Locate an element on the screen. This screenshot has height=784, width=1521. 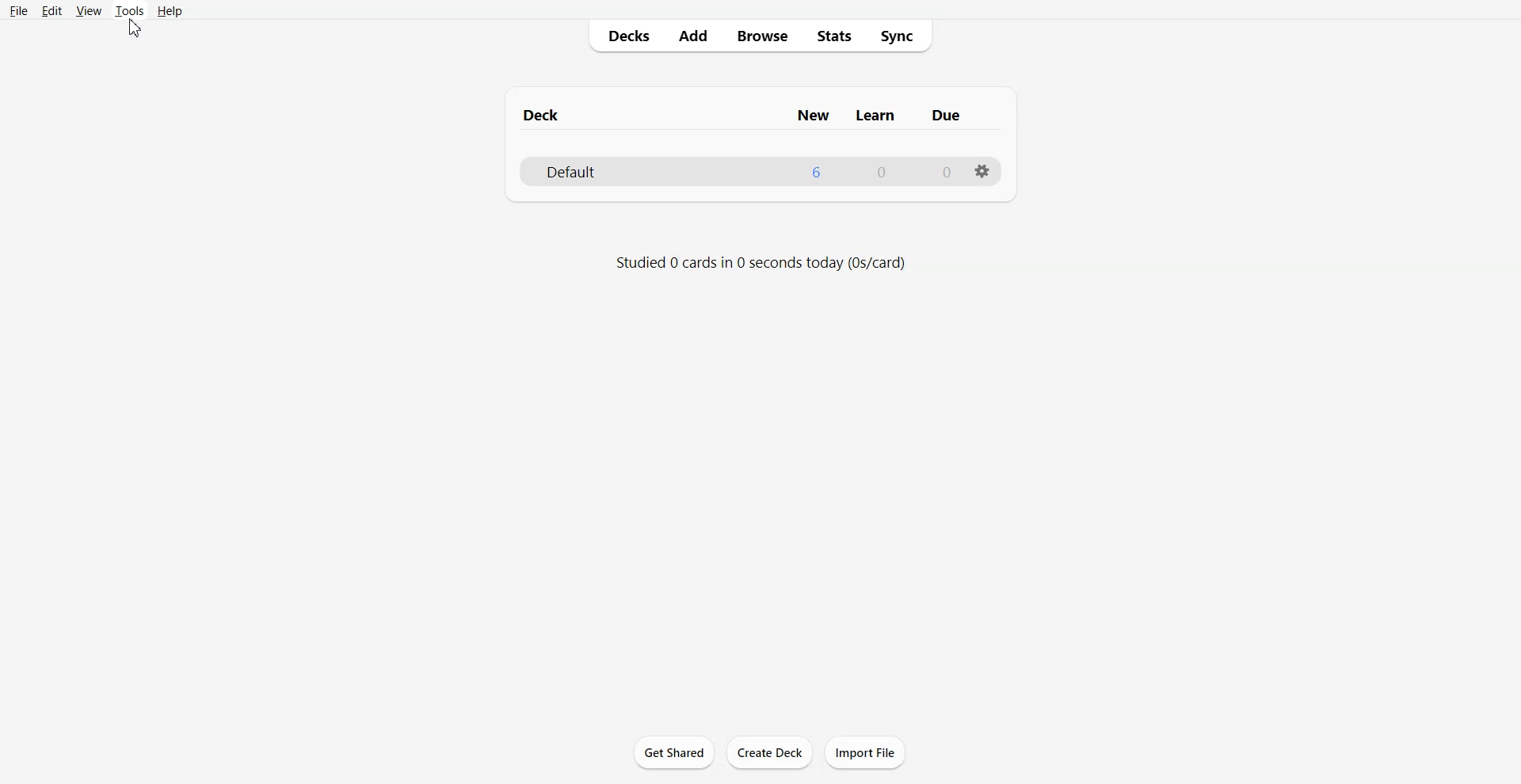
Edit is located at coordinates (53, 11).